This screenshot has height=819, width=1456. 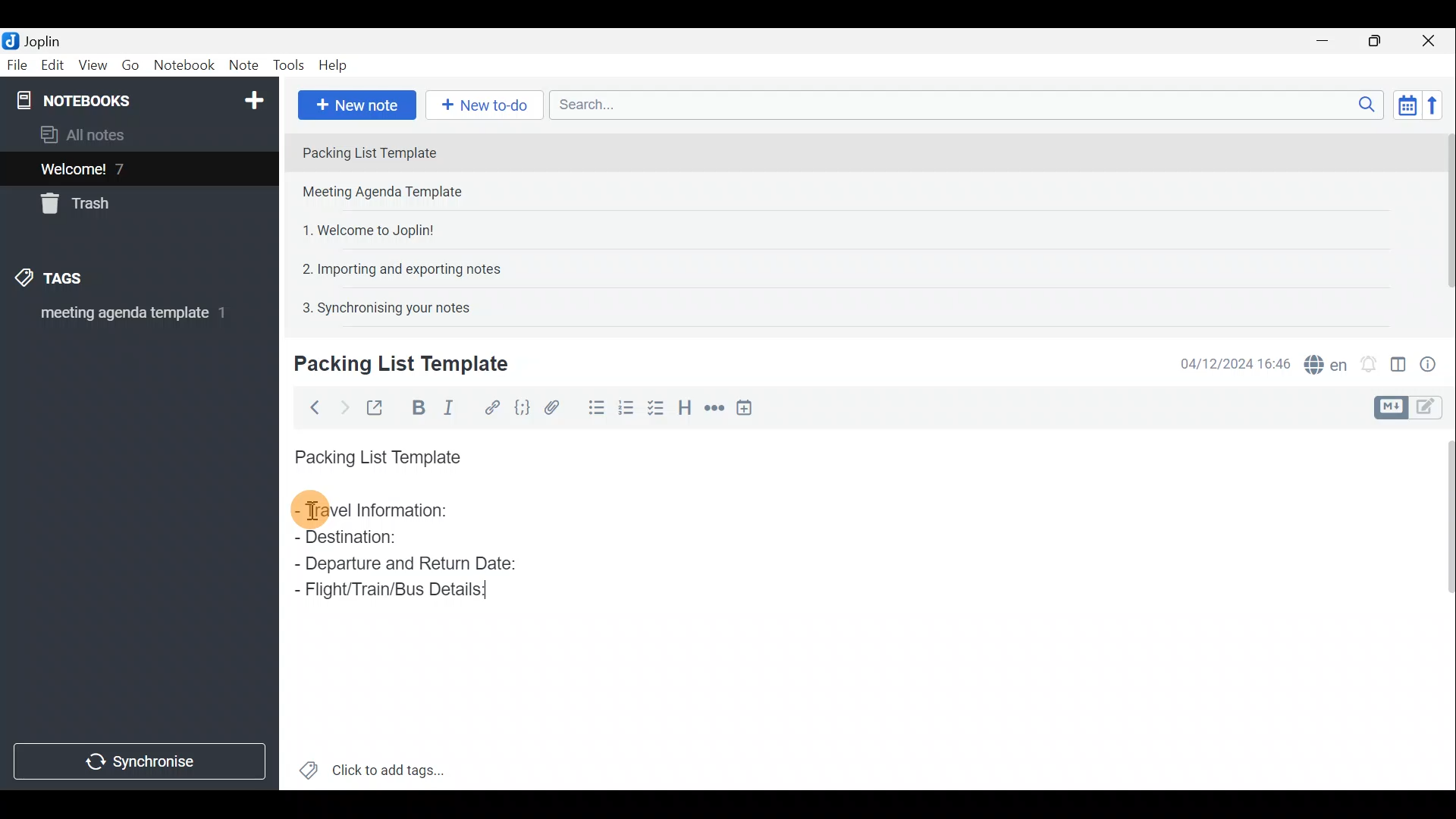 What do you see at coordinates (1398, 359) in the screenshot?
I see `Toggle editor layout` at bounding box center [1398, 359].